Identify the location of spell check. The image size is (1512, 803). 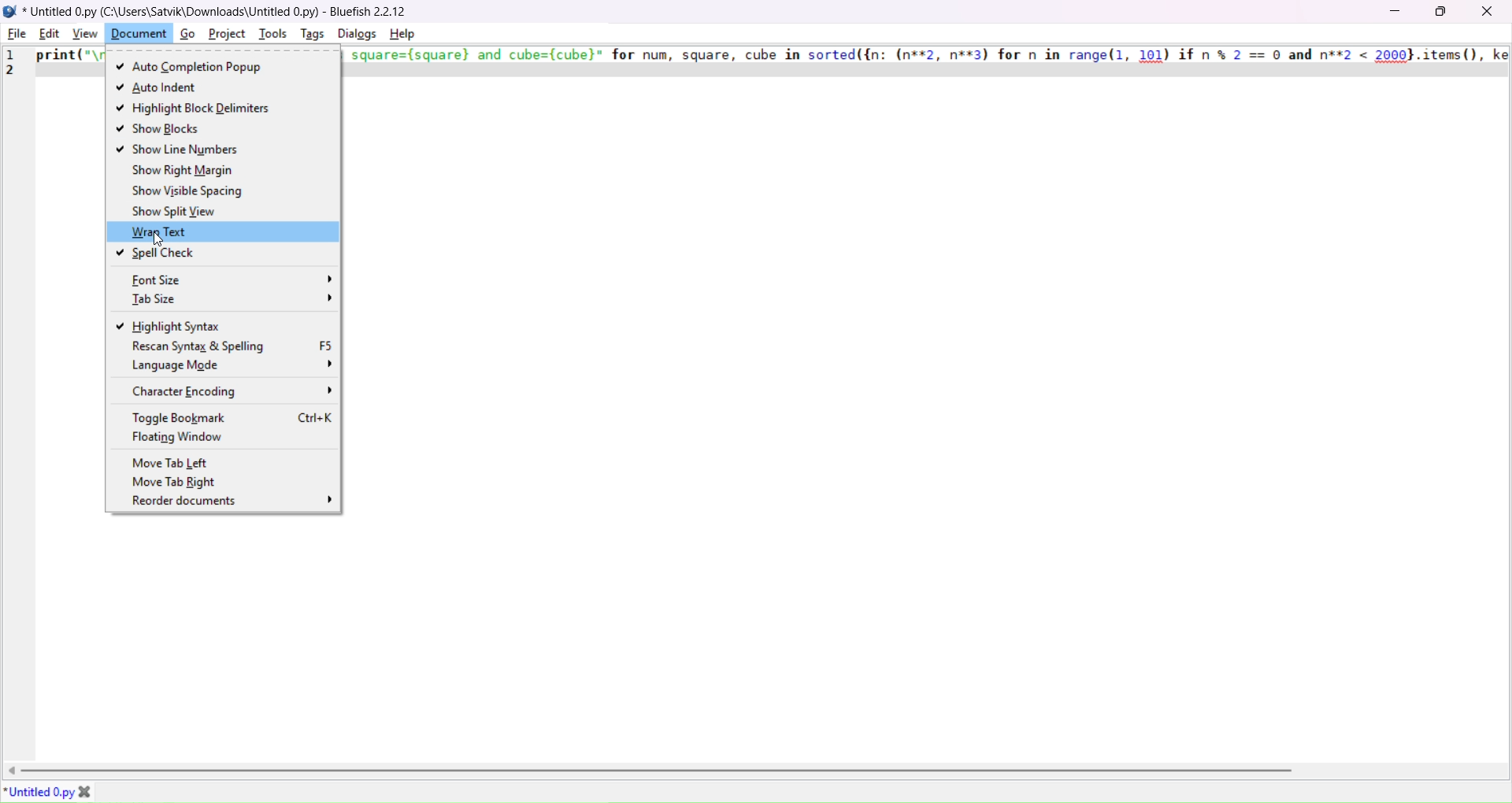
(154, 252).